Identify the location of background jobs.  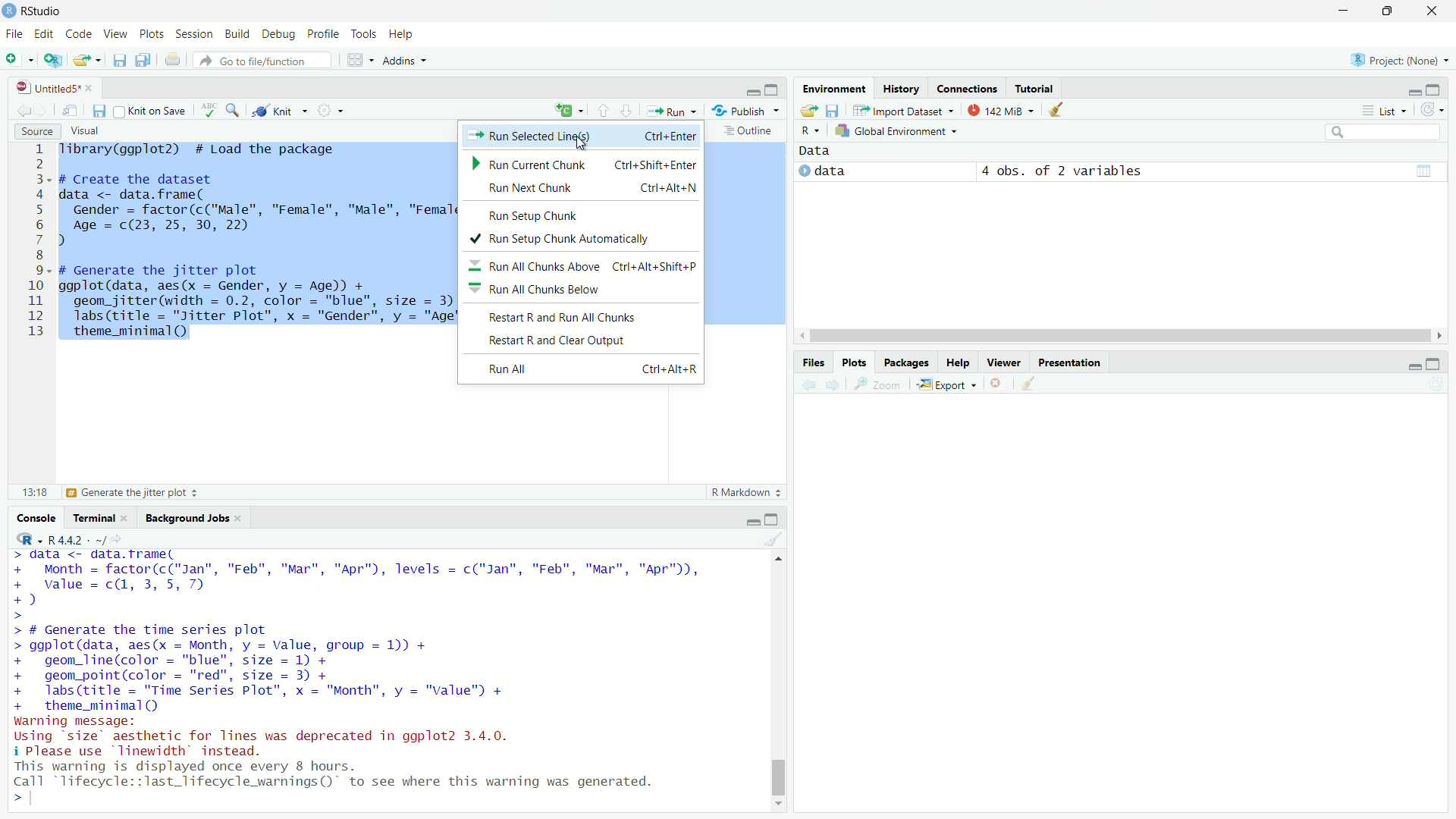
(188, 516).